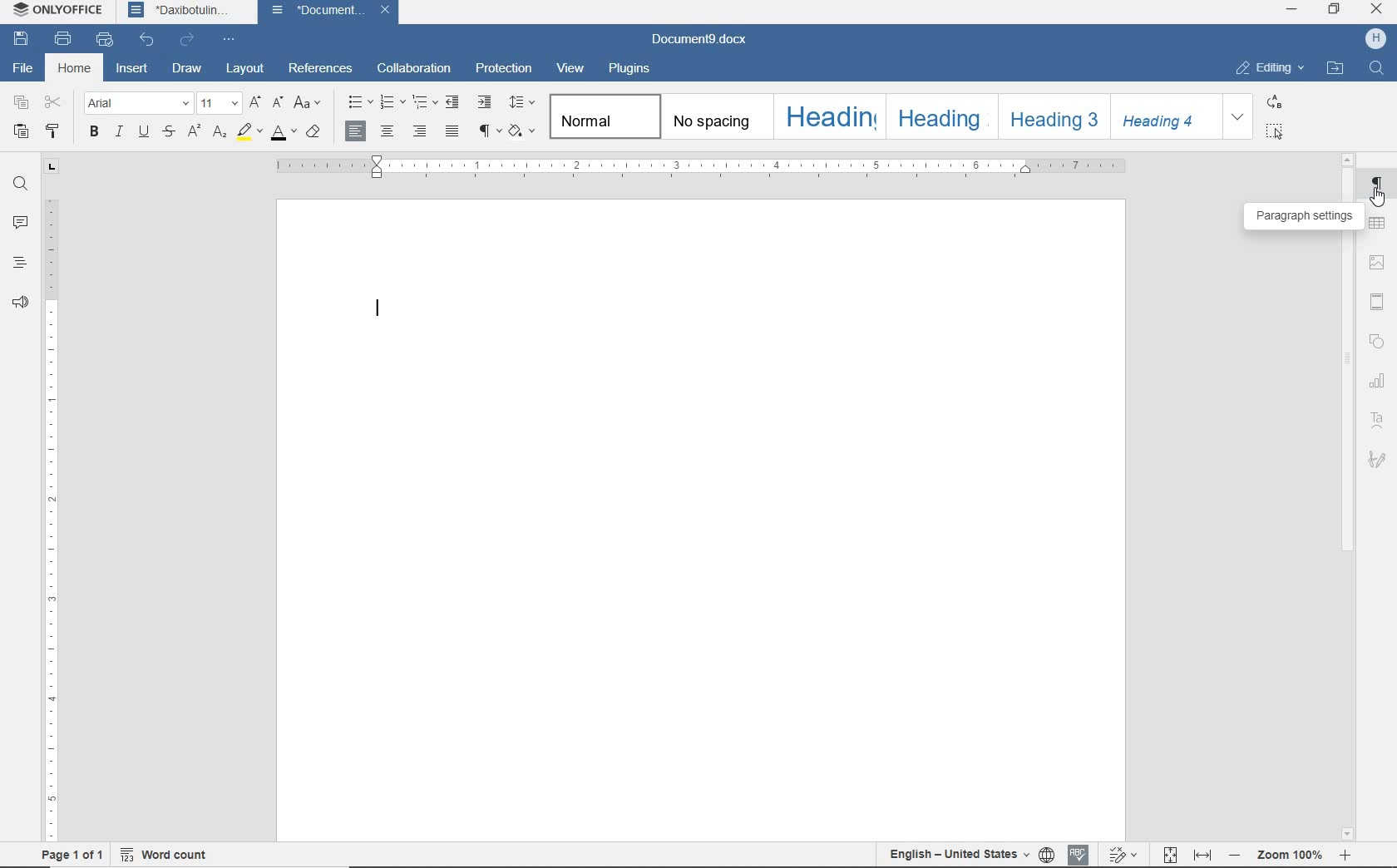  Describe the element at coordinates (49, 519) in the screenshot. I see `ruler` at that location.